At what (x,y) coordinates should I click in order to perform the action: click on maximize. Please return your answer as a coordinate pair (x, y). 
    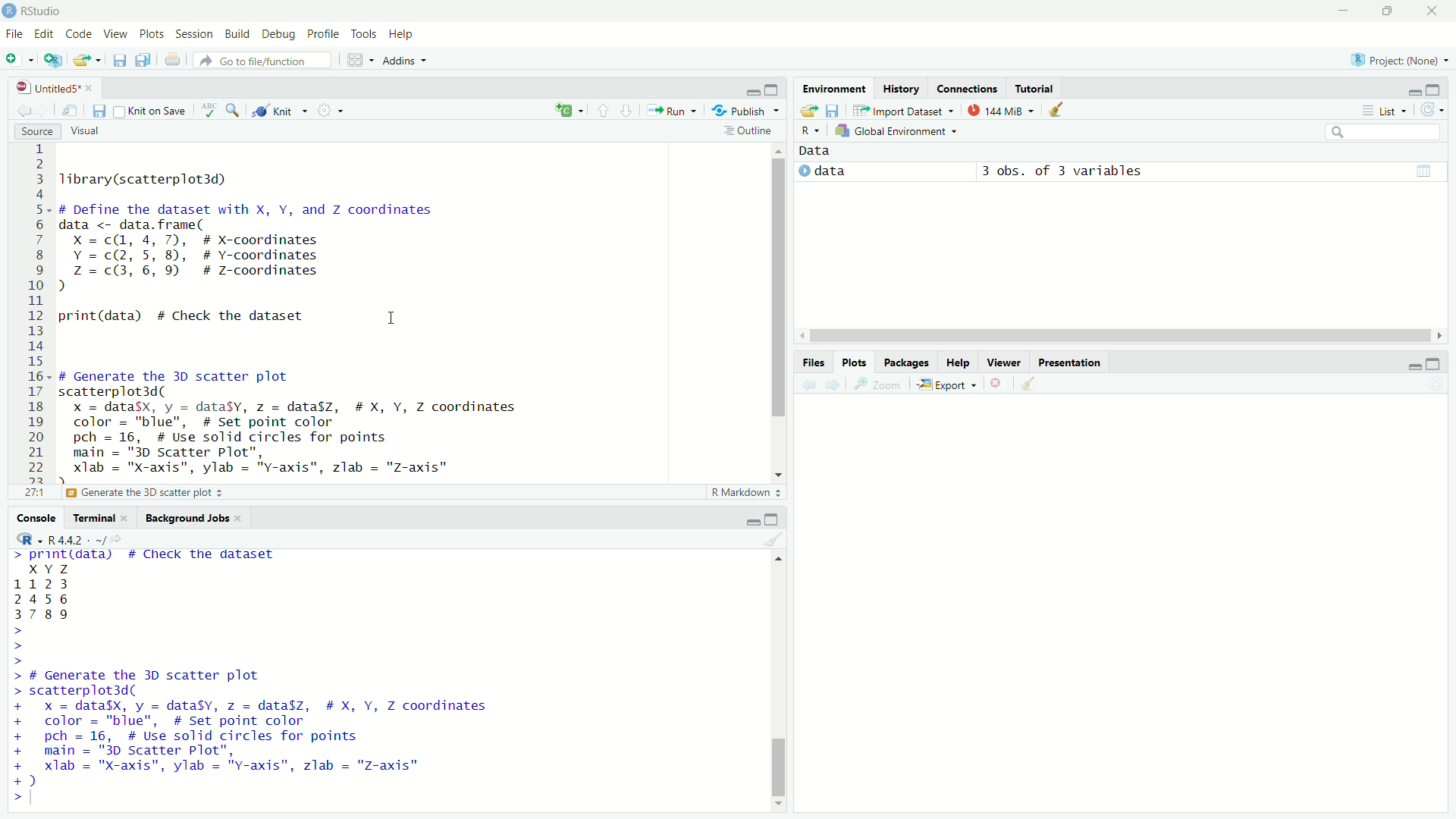
    Looking at the image, I should click on (778, 91).